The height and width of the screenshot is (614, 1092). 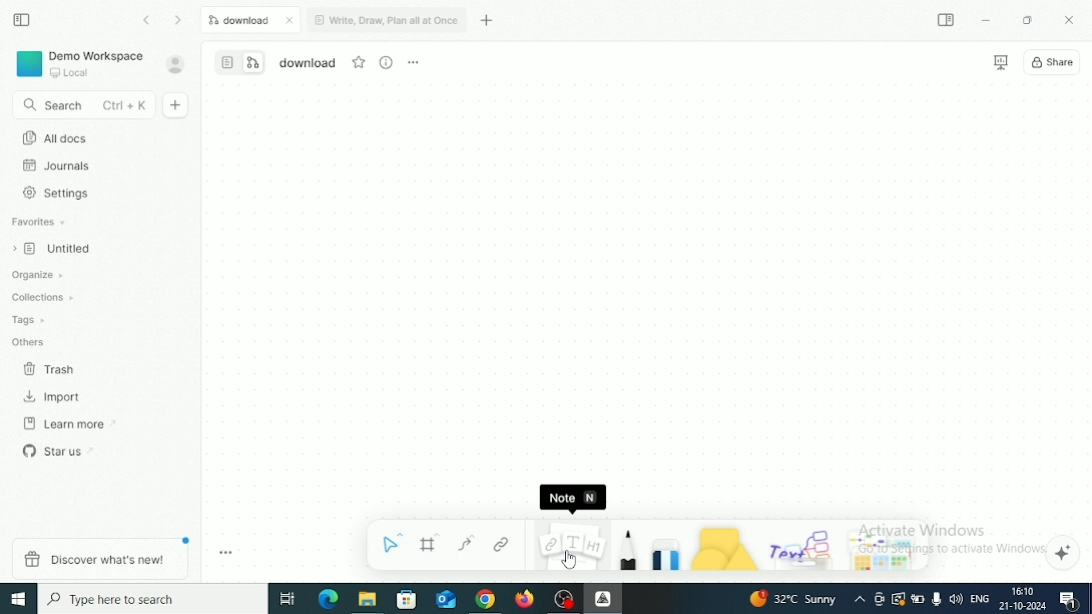 I want to click on Go back, so click(x=148, y=19).